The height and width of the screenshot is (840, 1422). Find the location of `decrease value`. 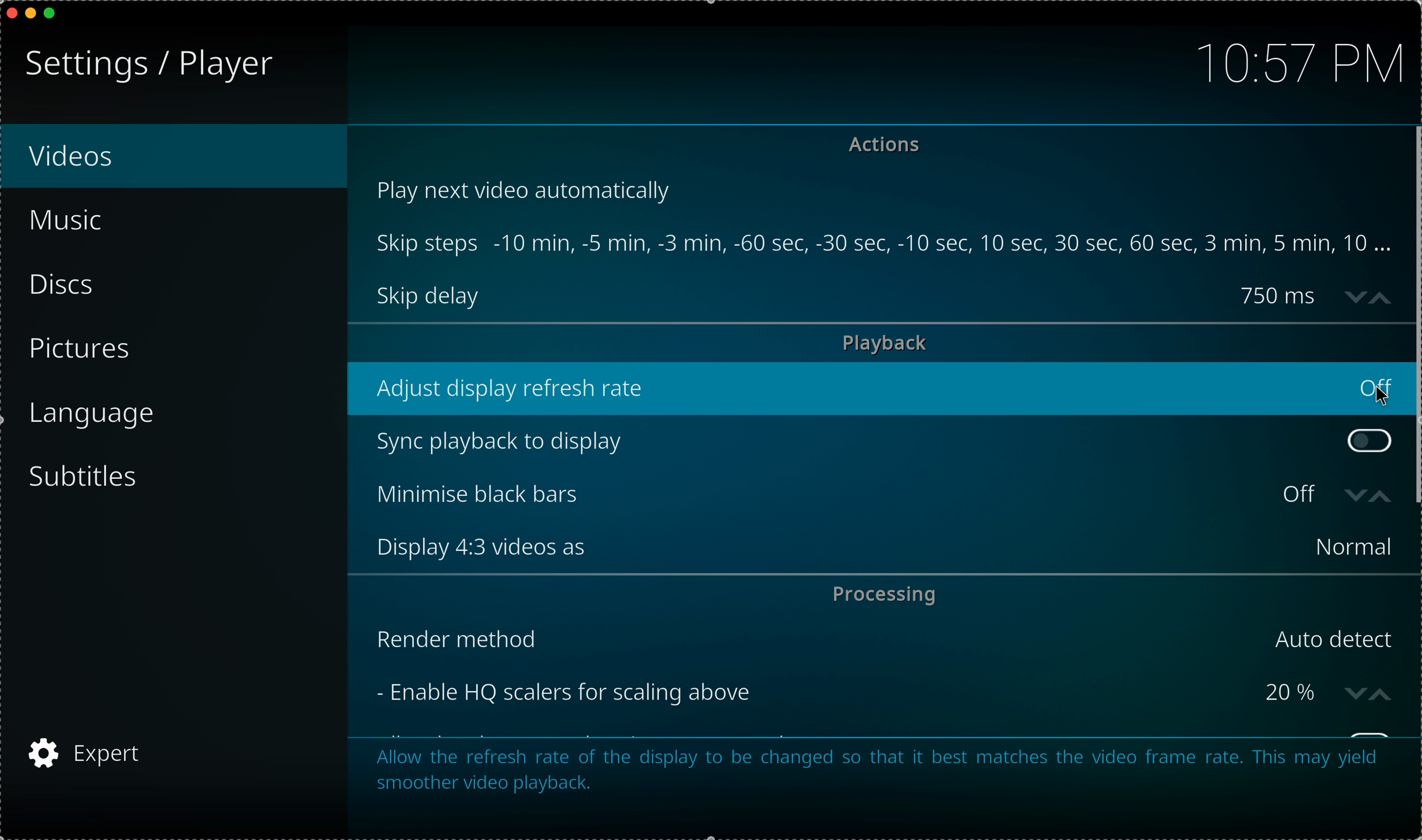

decrease value is located at coordinates (1354, 491).